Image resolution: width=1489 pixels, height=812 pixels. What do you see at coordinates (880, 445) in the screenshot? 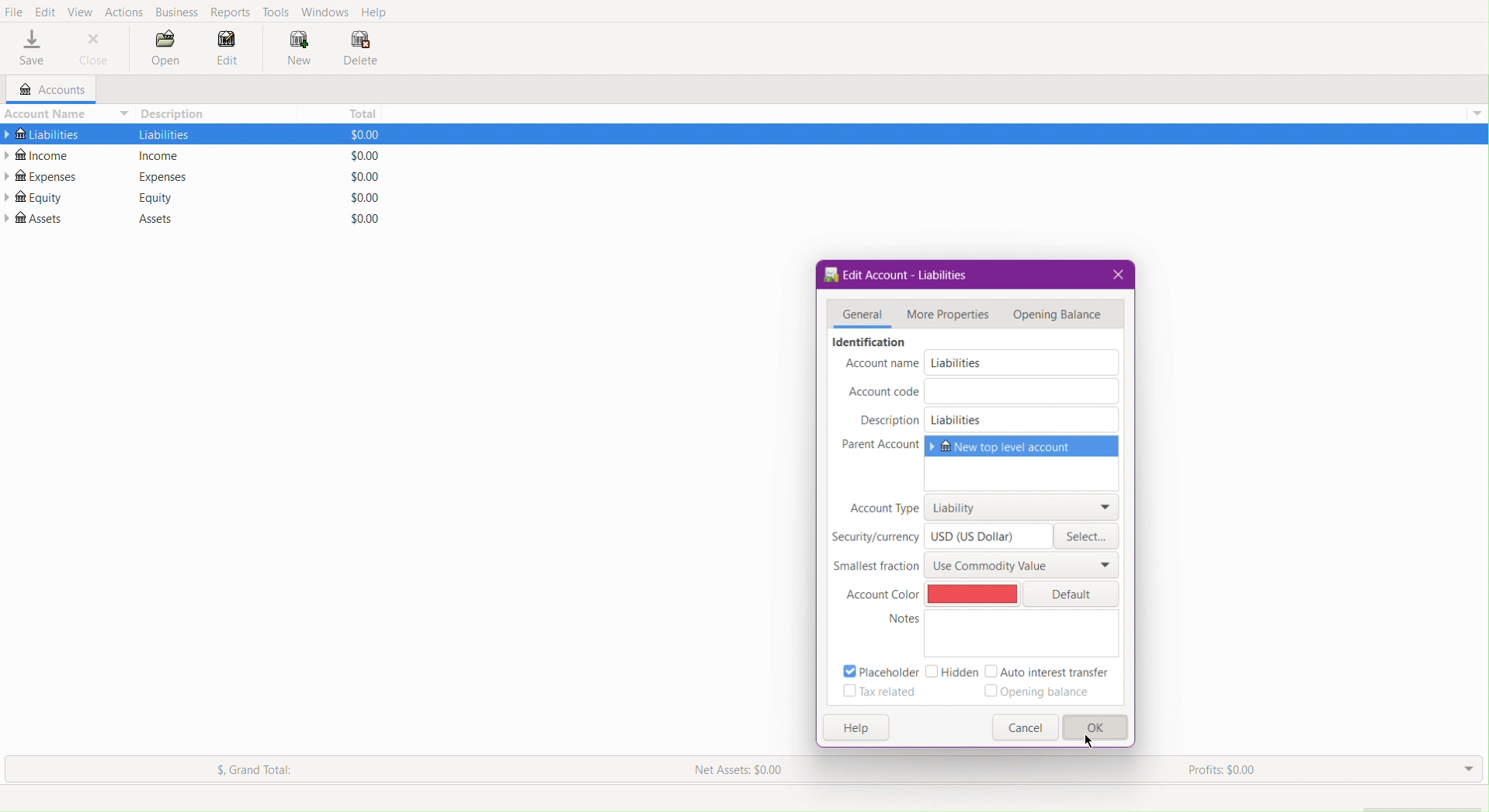
I see `Parent Account` at bounding box center [880, 445].